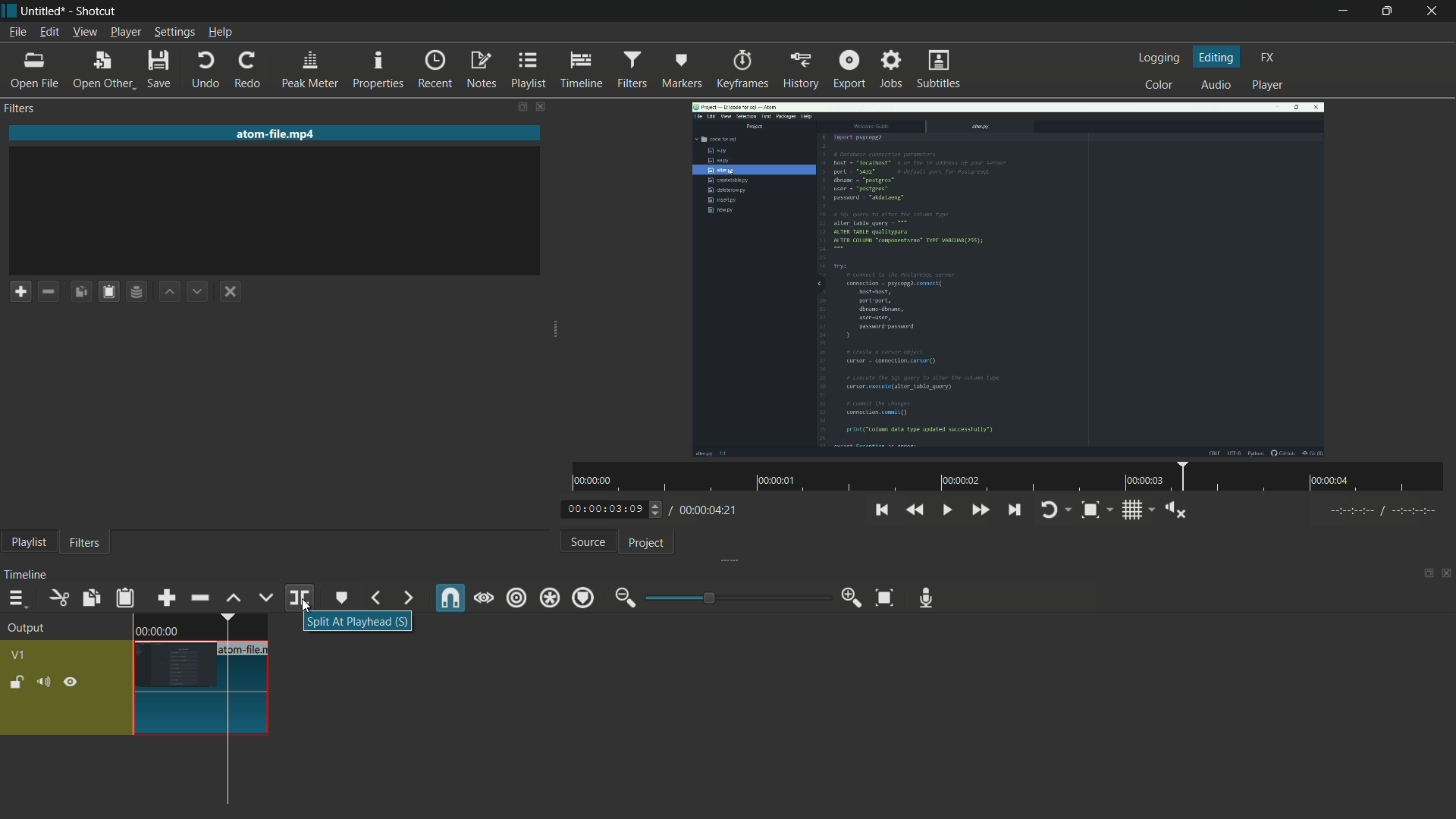  What do you see at coordinates (267, 596) in the screenshot?
I see `overwrite` at bounding box center [267, 596].